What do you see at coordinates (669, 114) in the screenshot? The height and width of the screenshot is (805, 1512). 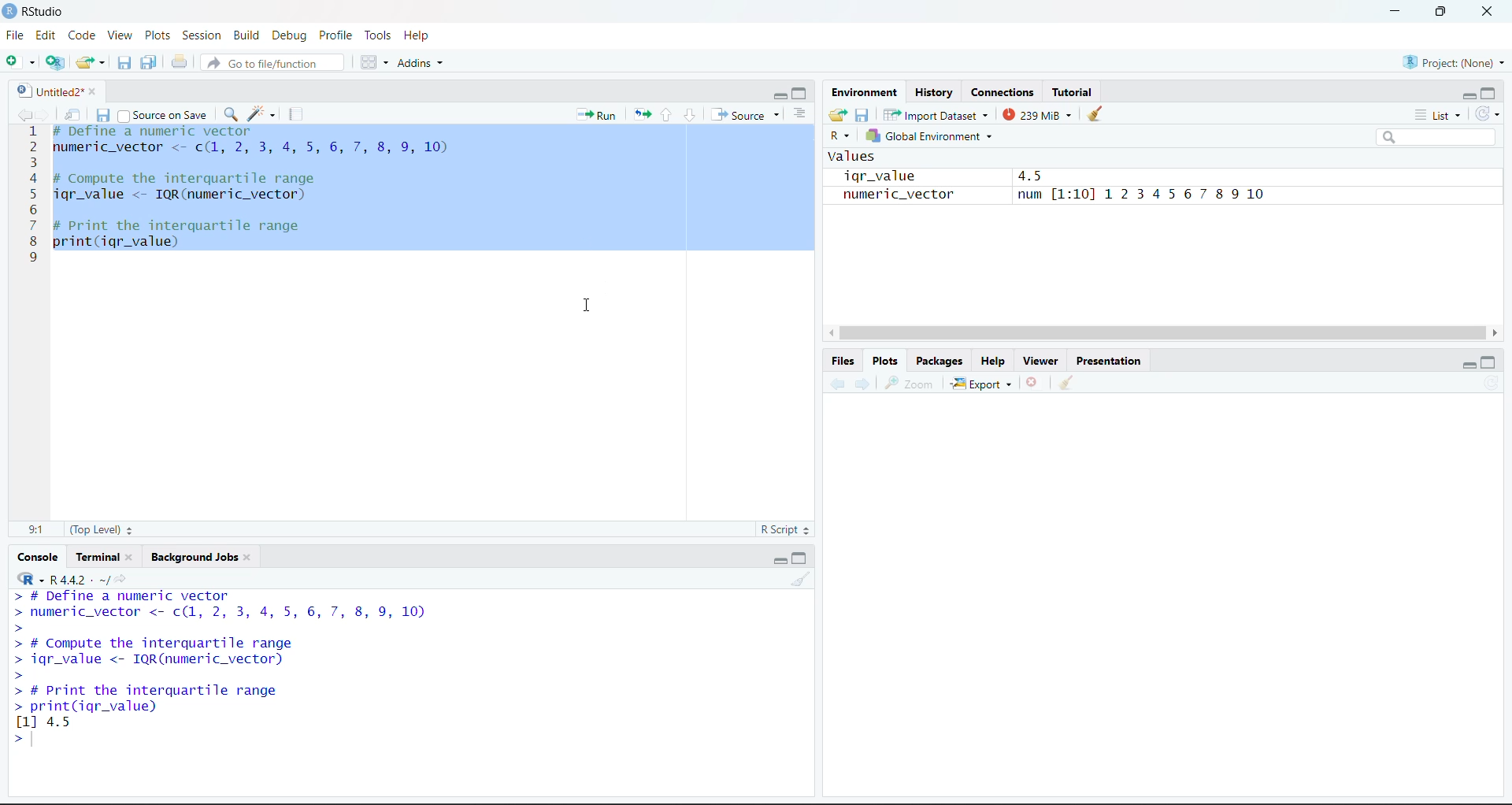 I see `Go to previous section/chunk (Ctrl + PgUp)` at bounding box center [669, 114].